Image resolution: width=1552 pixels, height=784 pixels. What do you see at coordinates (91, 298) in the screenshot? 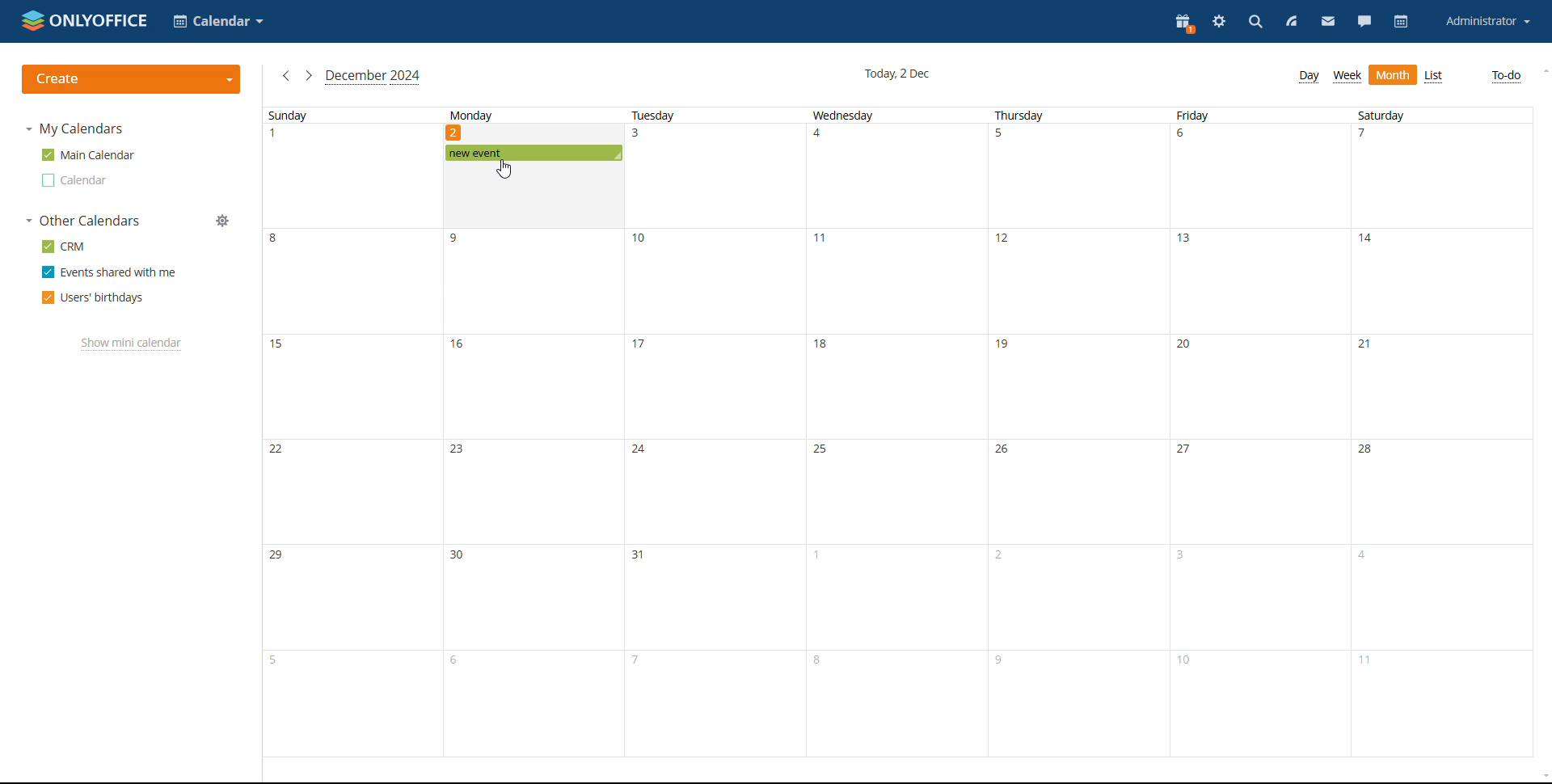
I see `users' birthdays` at bounding box center [91, 298].